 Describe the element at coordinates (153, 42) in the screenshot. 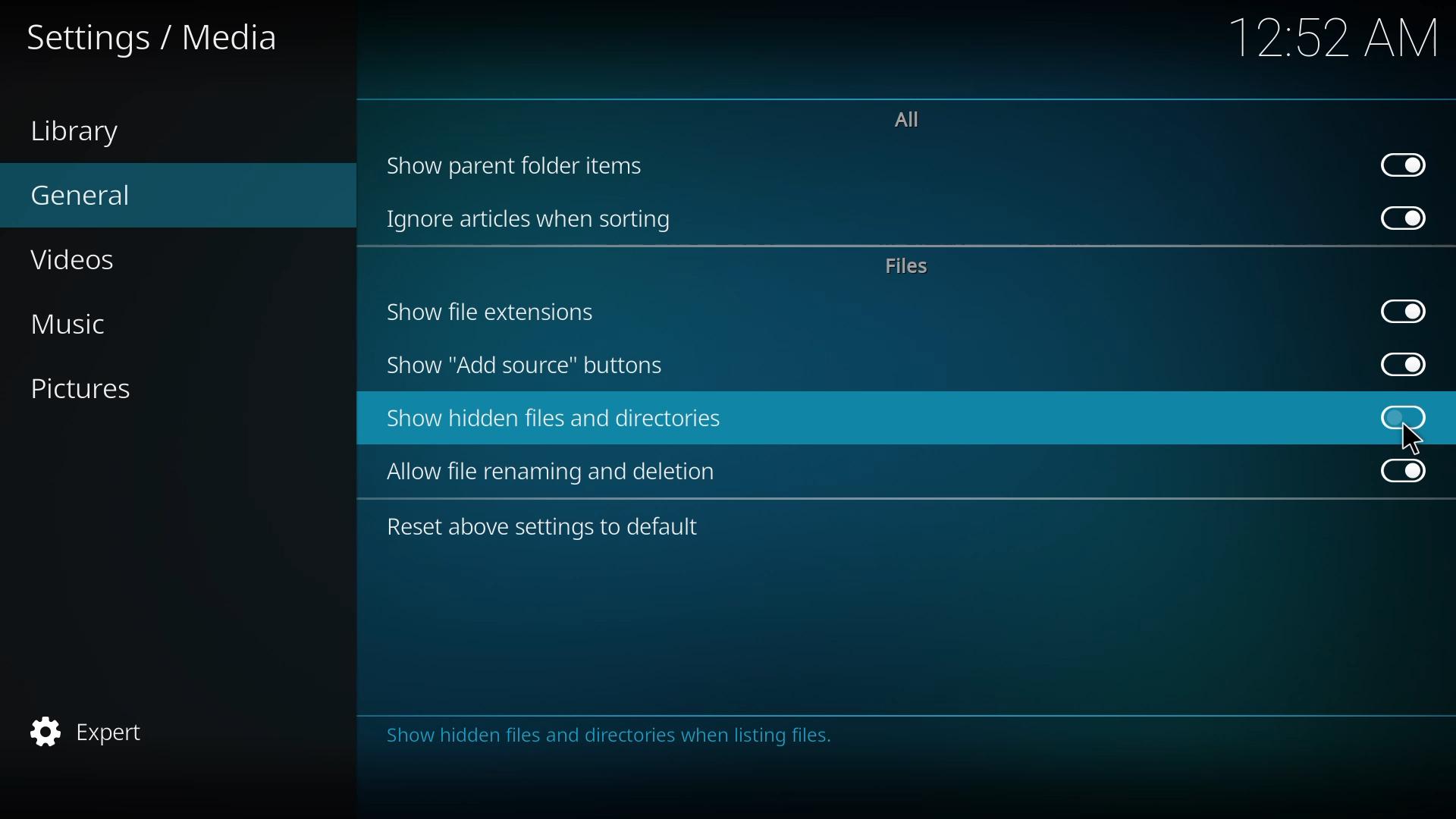

I see `settings /media` at that location.